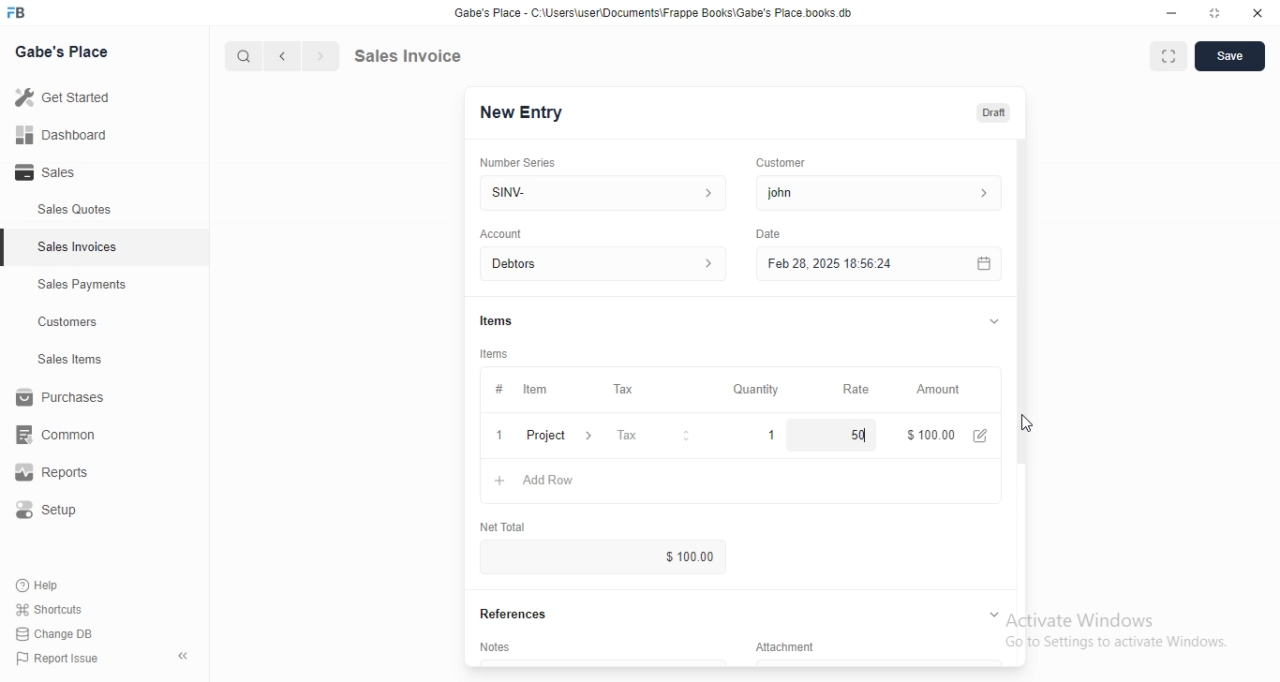 This screenshot has width=1280, height=682. What do you see at coordinates (842, 434) in the screenshot?
I see `50` at bounding box center [842, 434].